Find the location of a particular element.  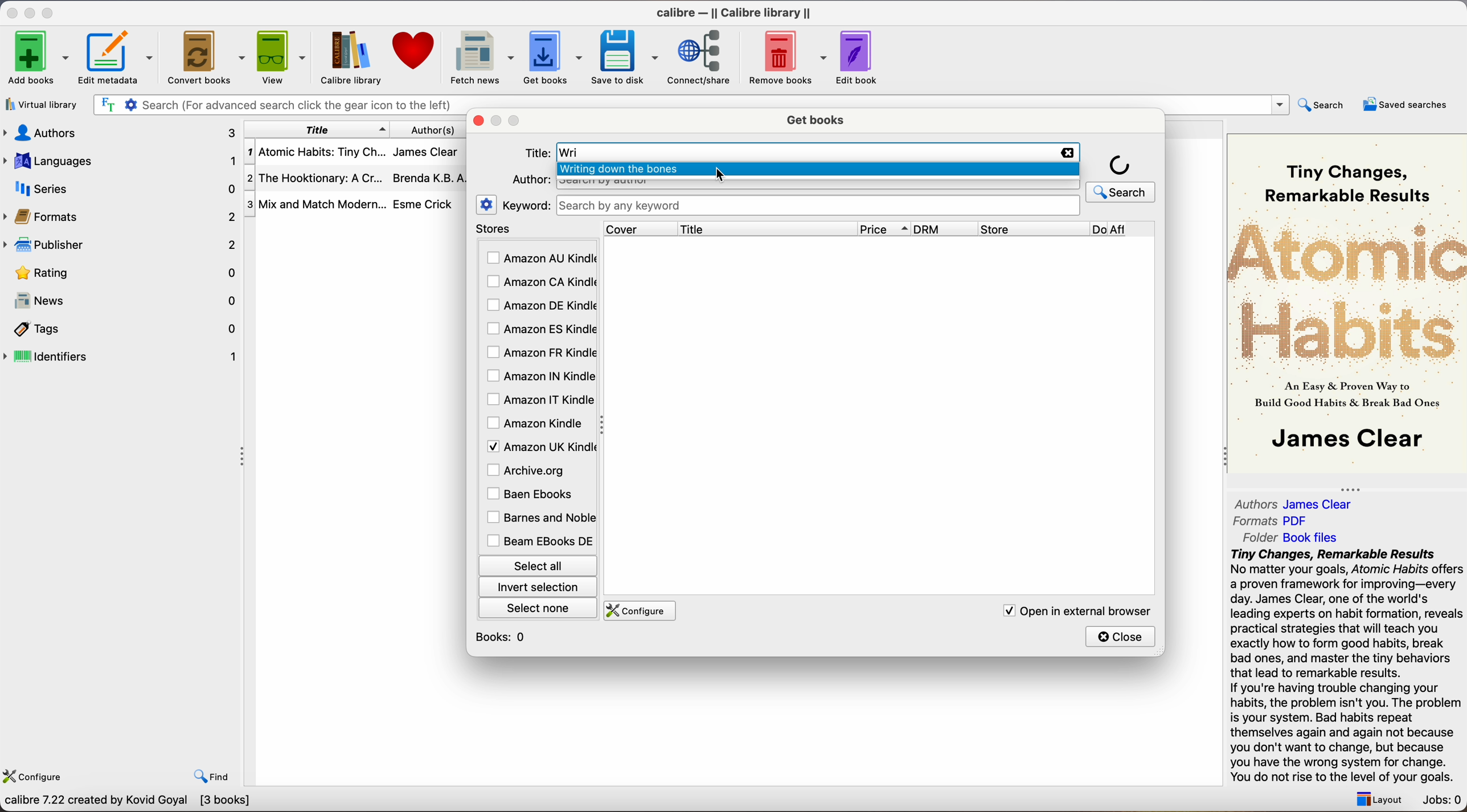

Amazon UK Kindle is located at coordinates (539, 446).